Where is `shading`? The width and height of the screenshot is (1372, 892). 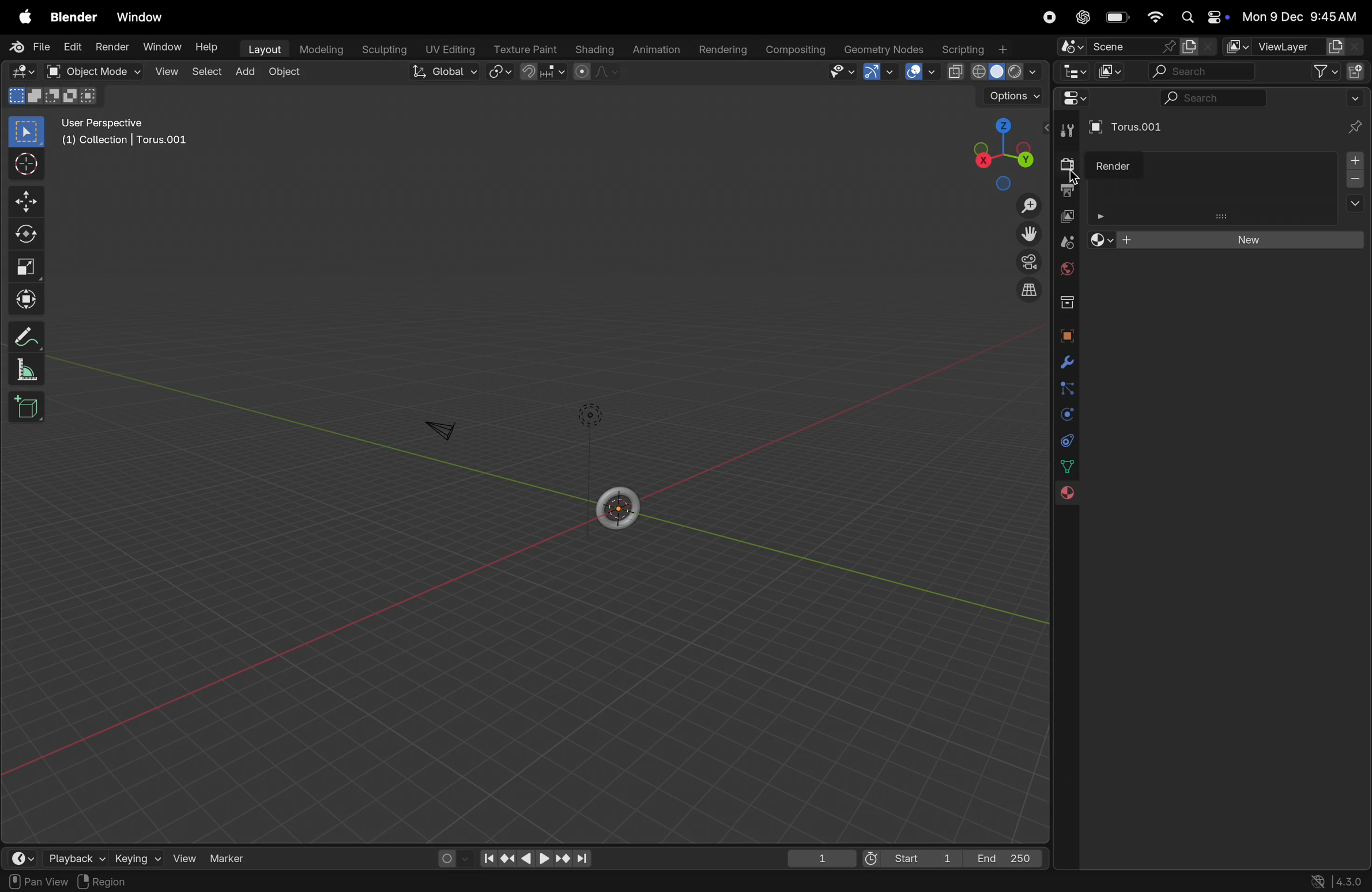 shading is located at coordinates (992, 72).